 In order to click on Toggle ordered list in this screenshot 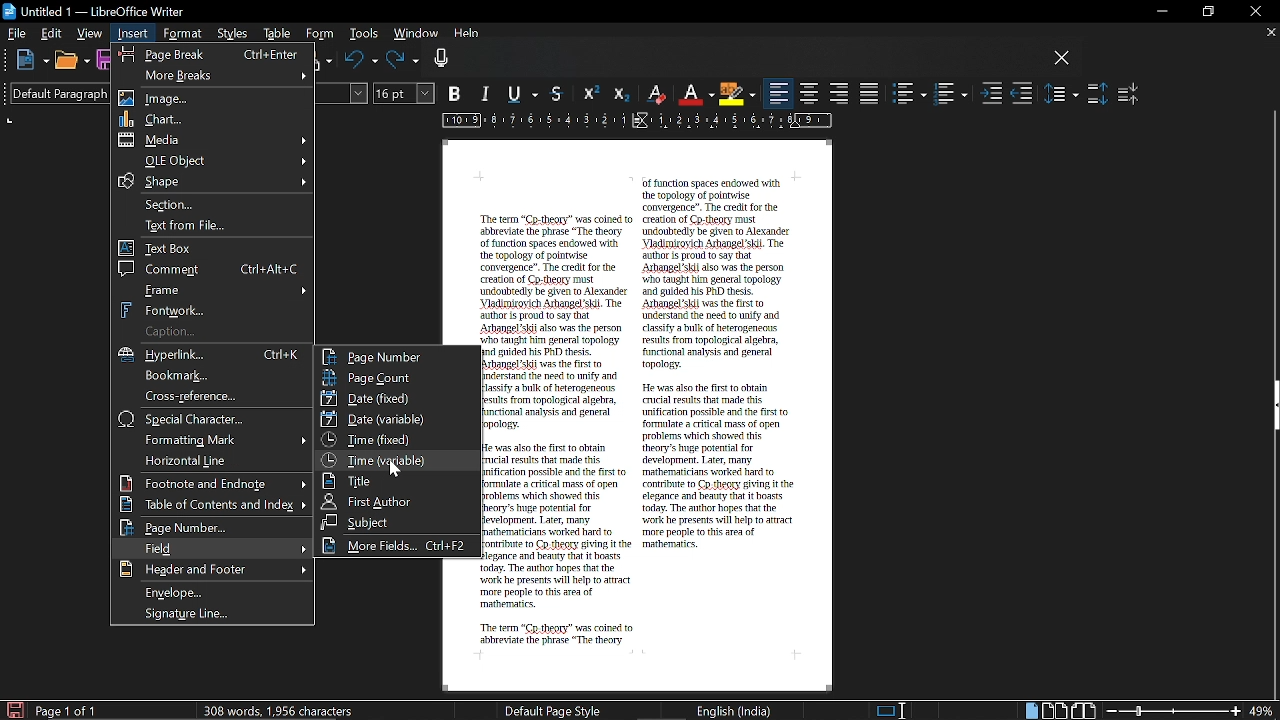, I will do `click(950, 94)`.